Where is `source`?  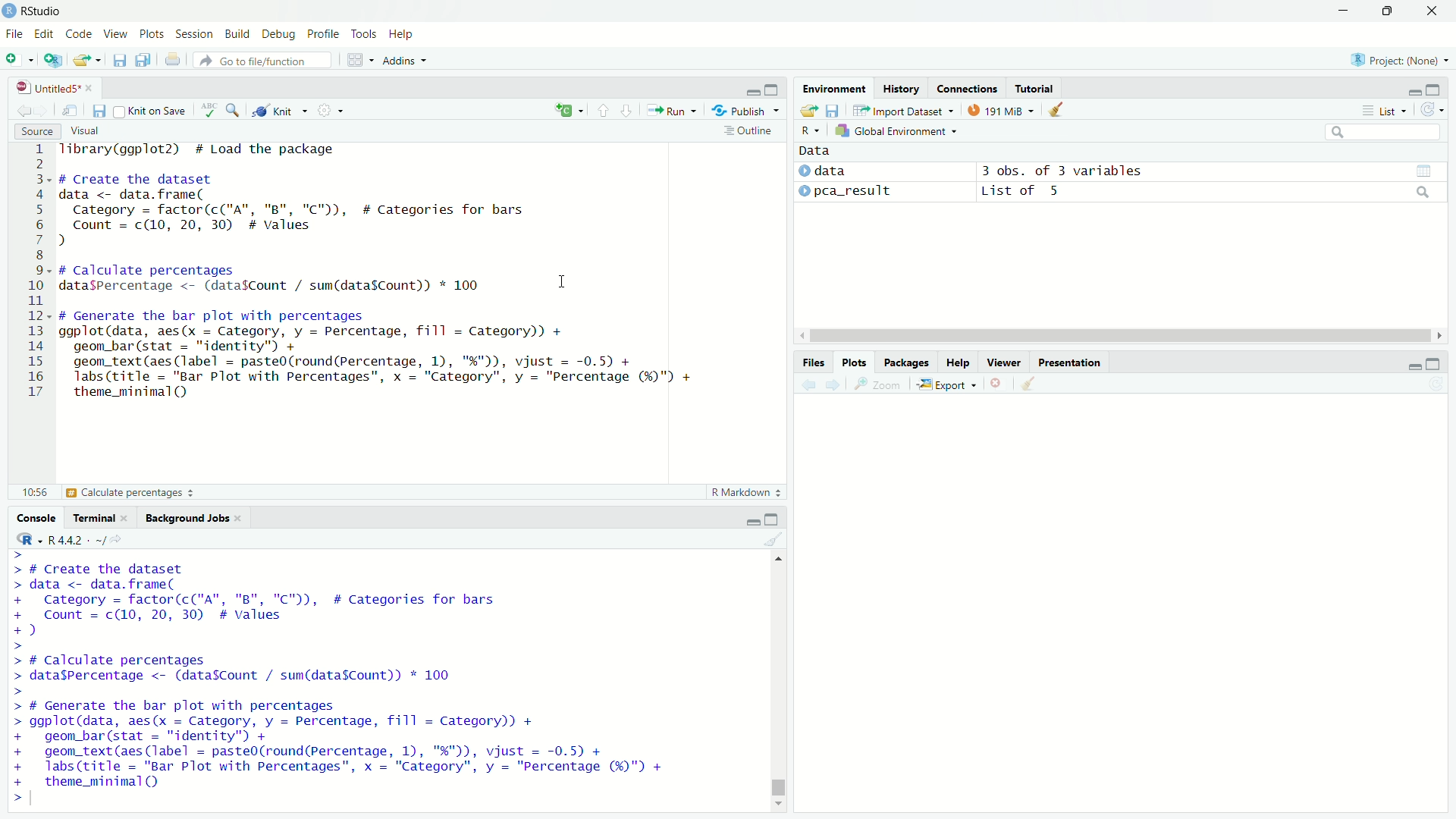 source is located at coordinates (36, 130).